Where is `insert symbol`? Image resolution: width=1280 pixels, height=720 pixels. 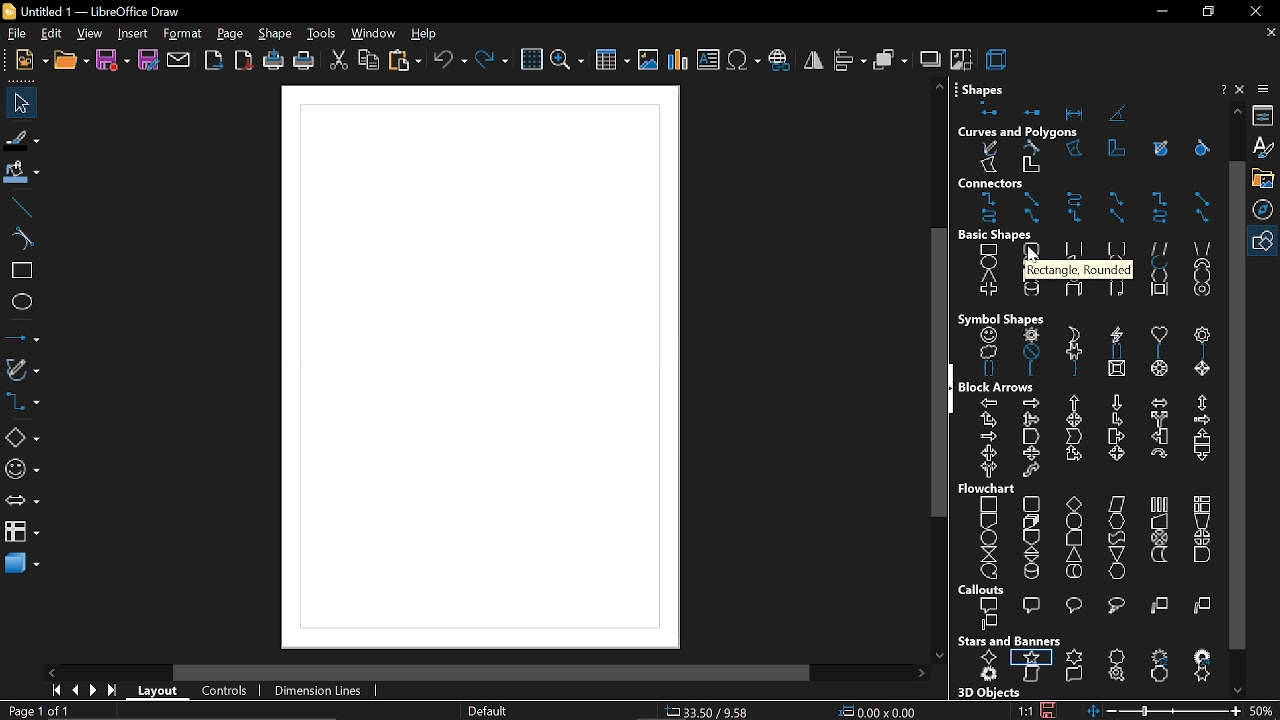
insert symbol is located at coordinates (742, 60).